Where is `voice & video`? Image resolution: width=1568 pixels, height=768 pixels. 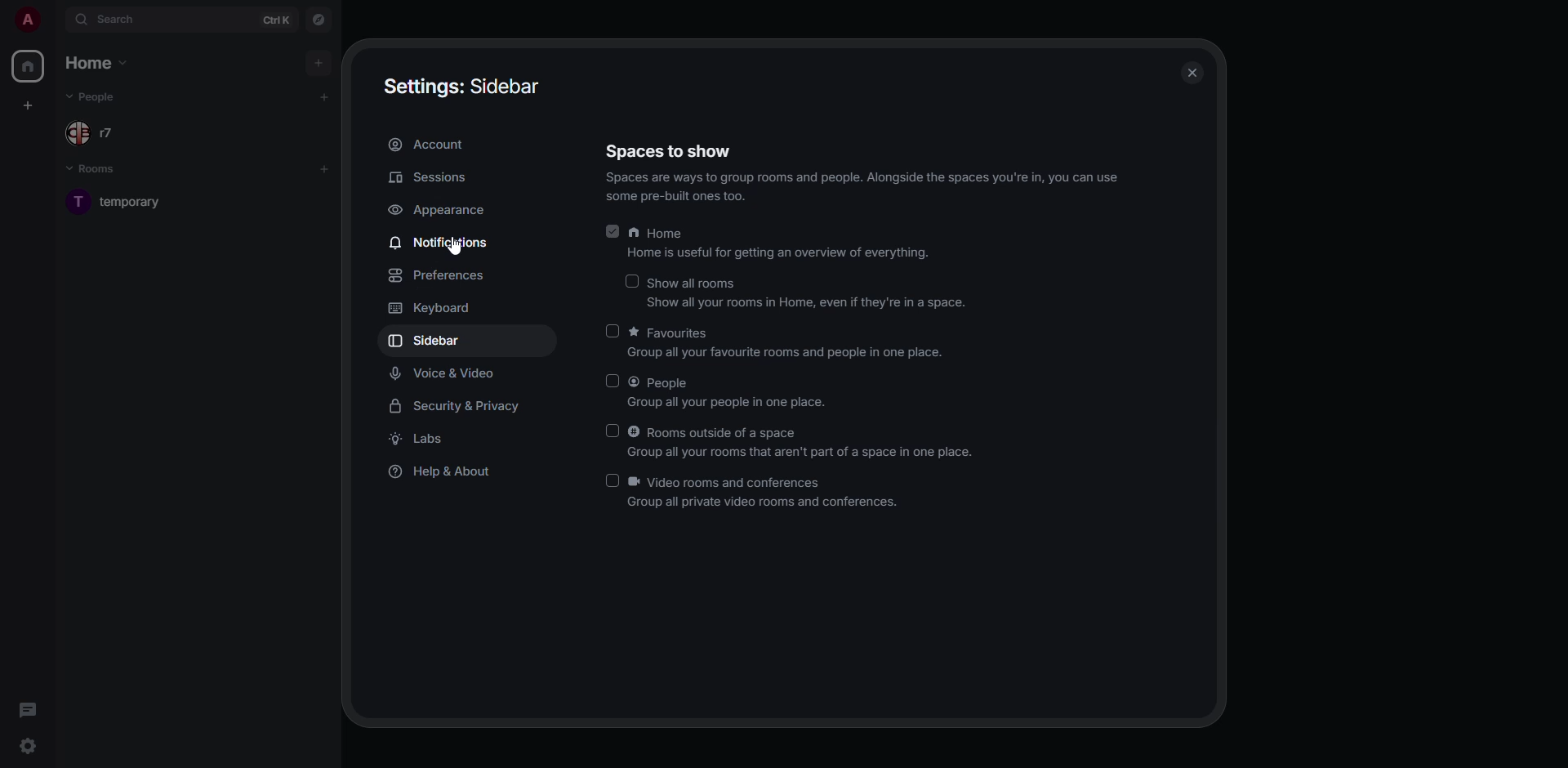 voice & video is located at coordinates (446, 373).